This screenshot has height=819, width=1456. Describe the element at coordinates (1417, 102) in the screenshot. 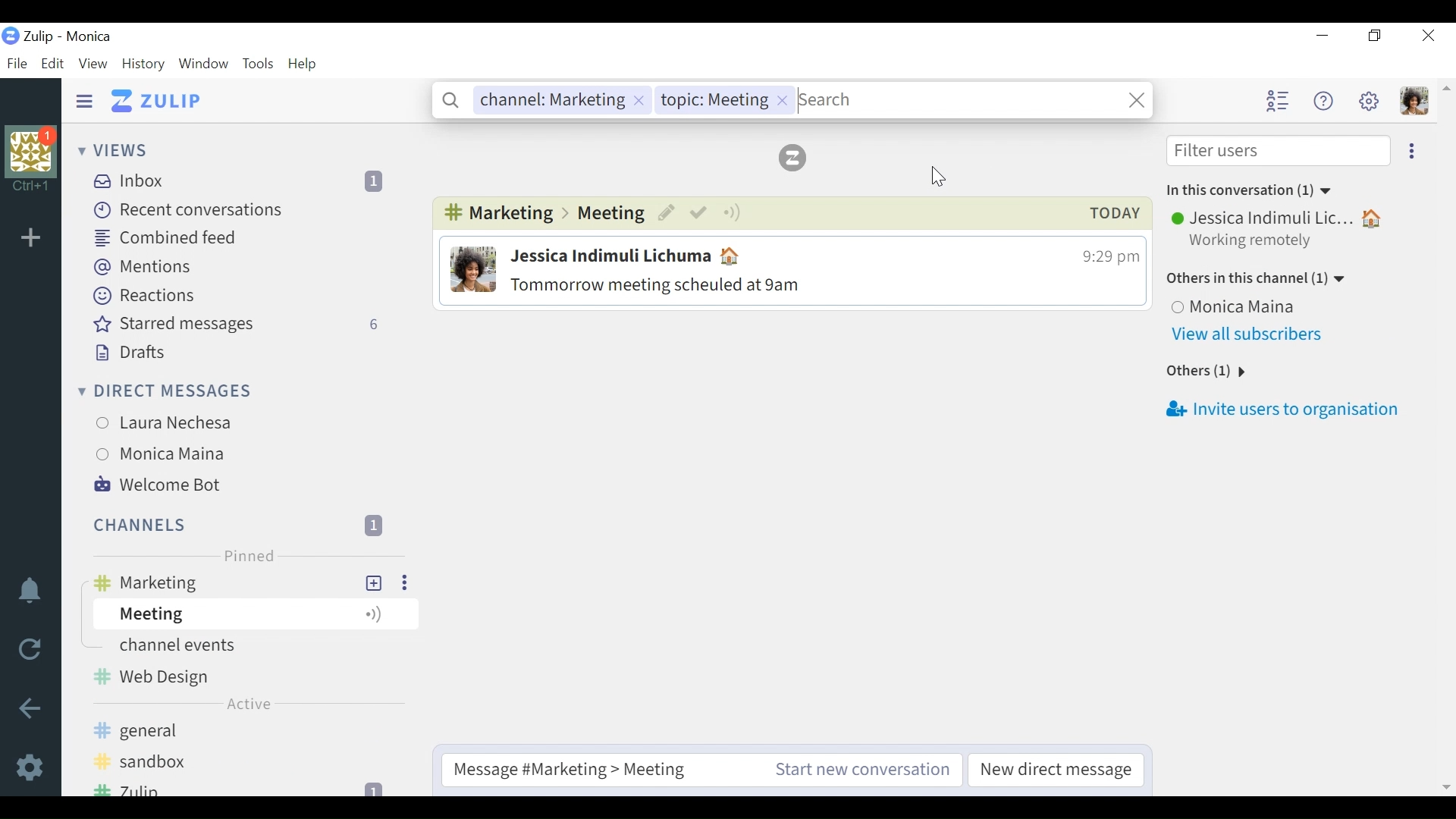

I see `Personal menu` at that location.